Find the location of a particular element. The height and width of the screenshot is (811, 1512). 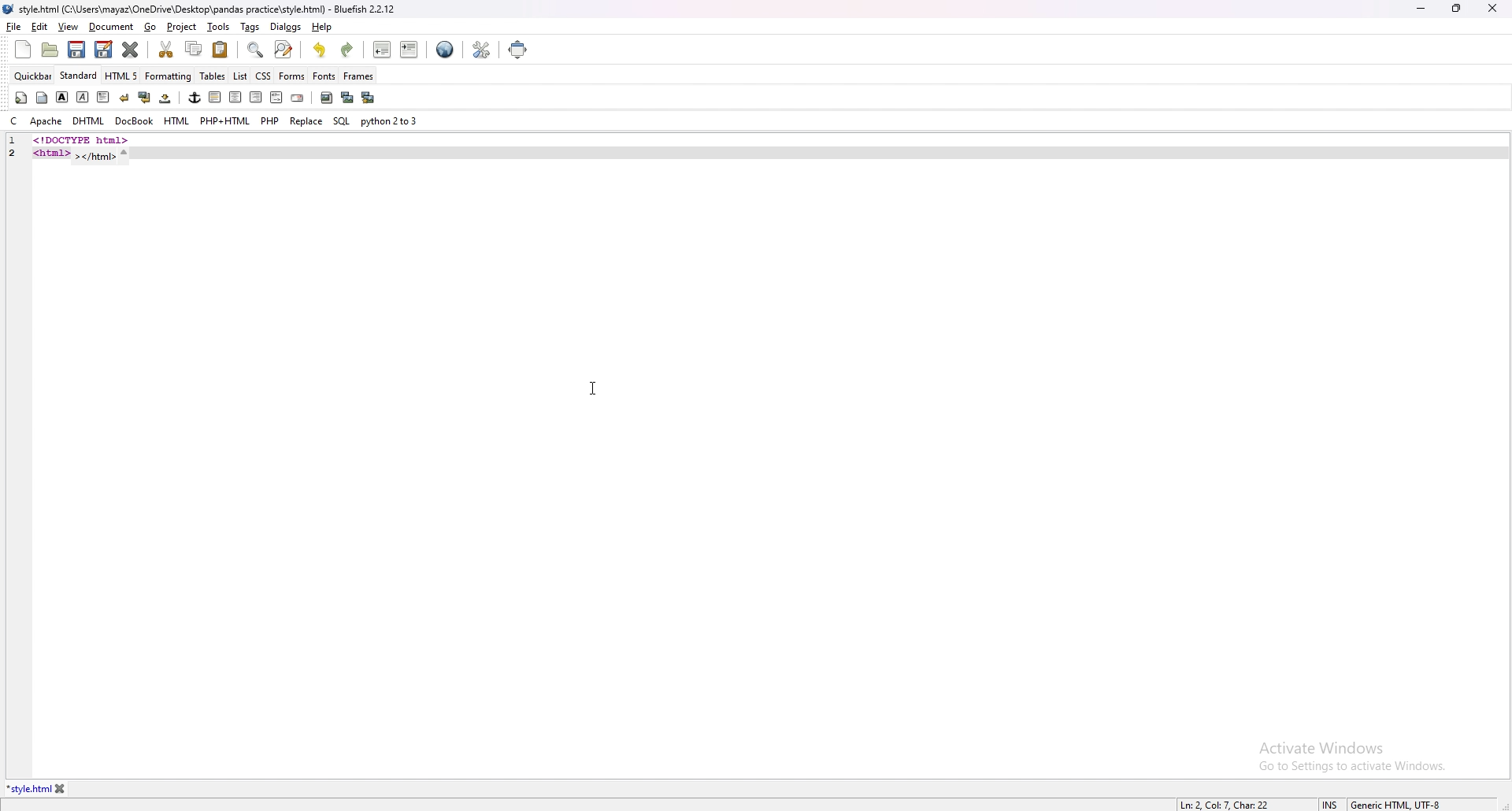

save is located at coordinates (77, 50).